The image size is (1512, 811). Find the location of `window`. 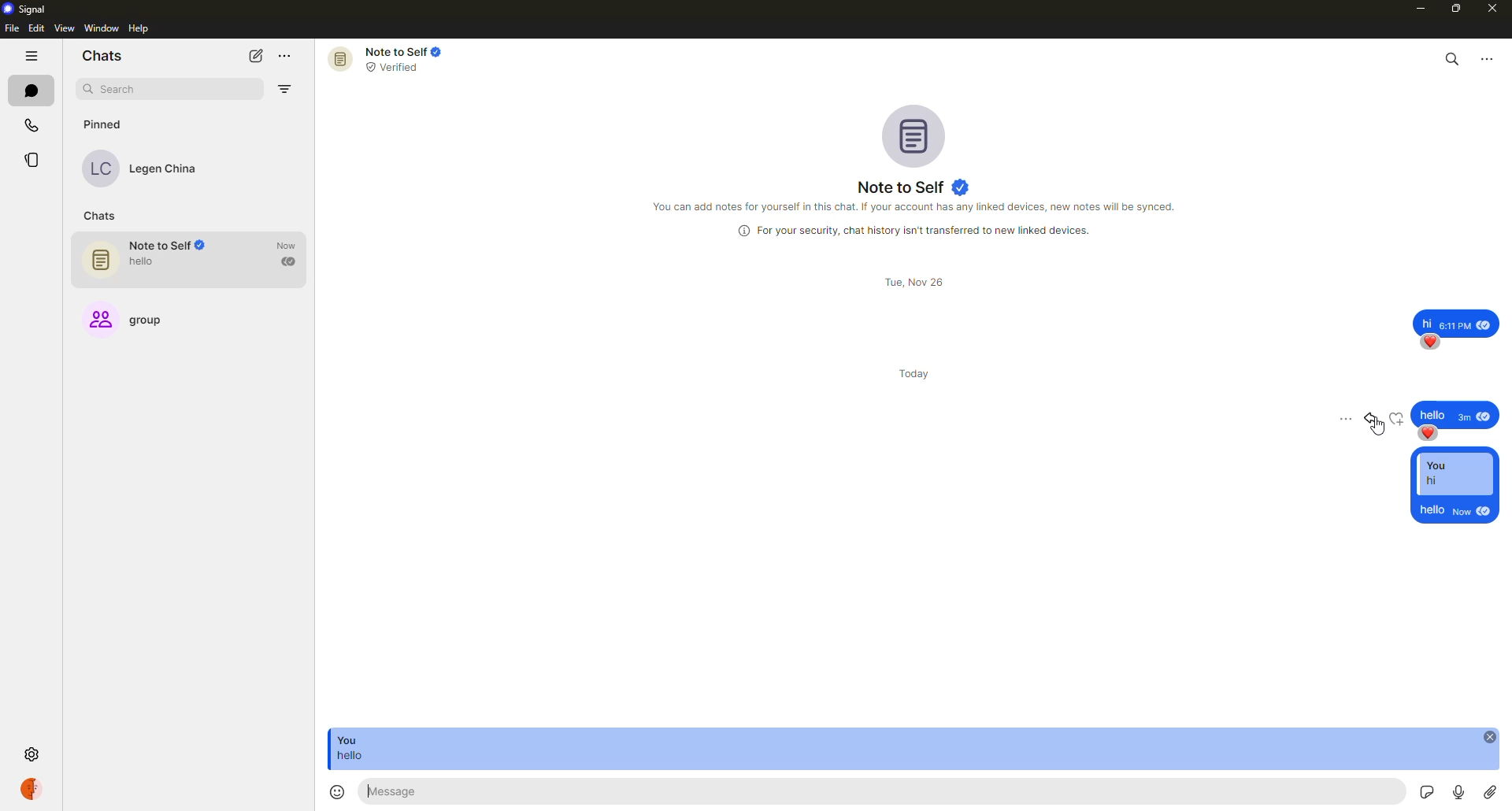

window is located at coordinates (101, 28).